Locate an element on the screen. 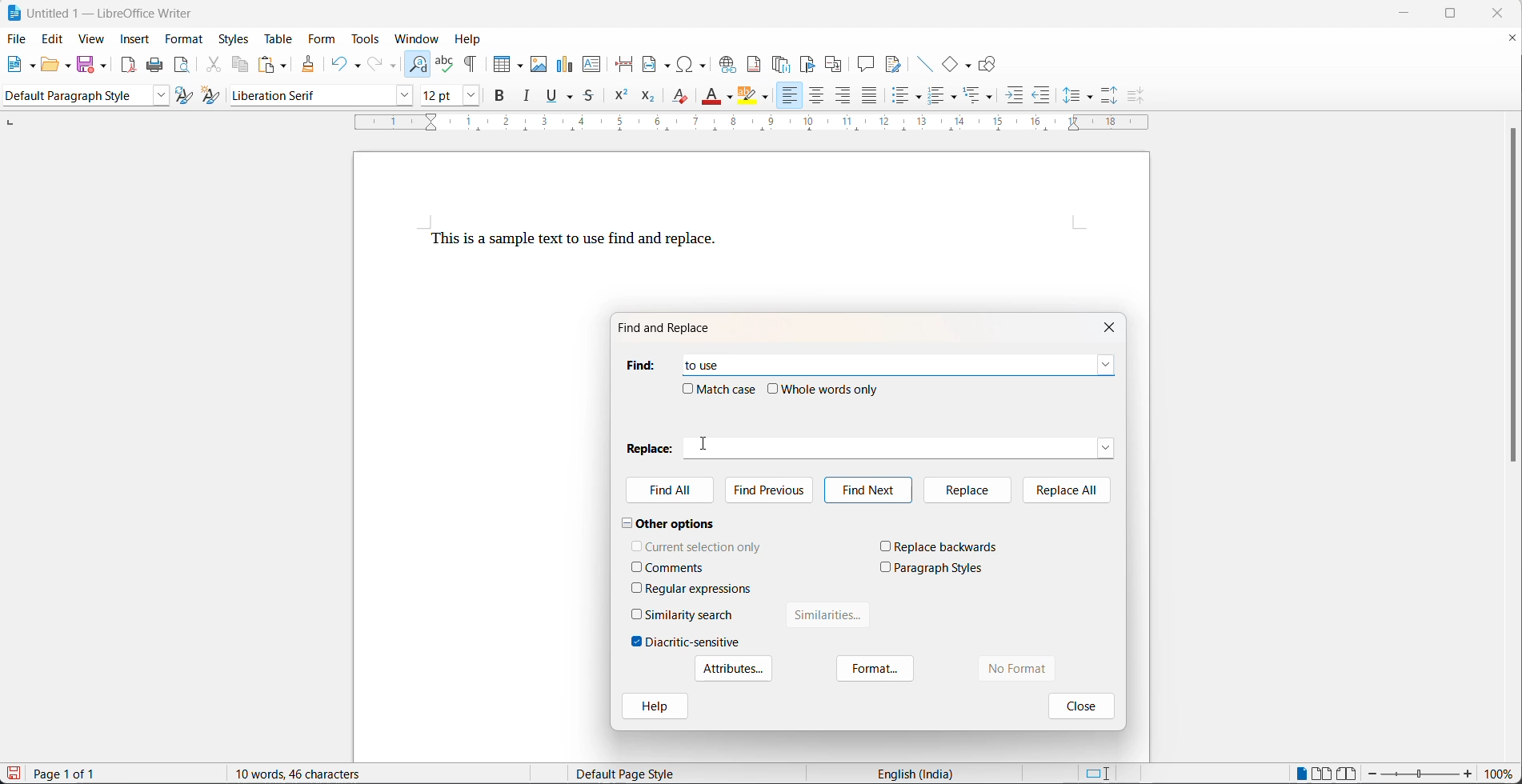  increase indent is located at coordinates (1015, 98).